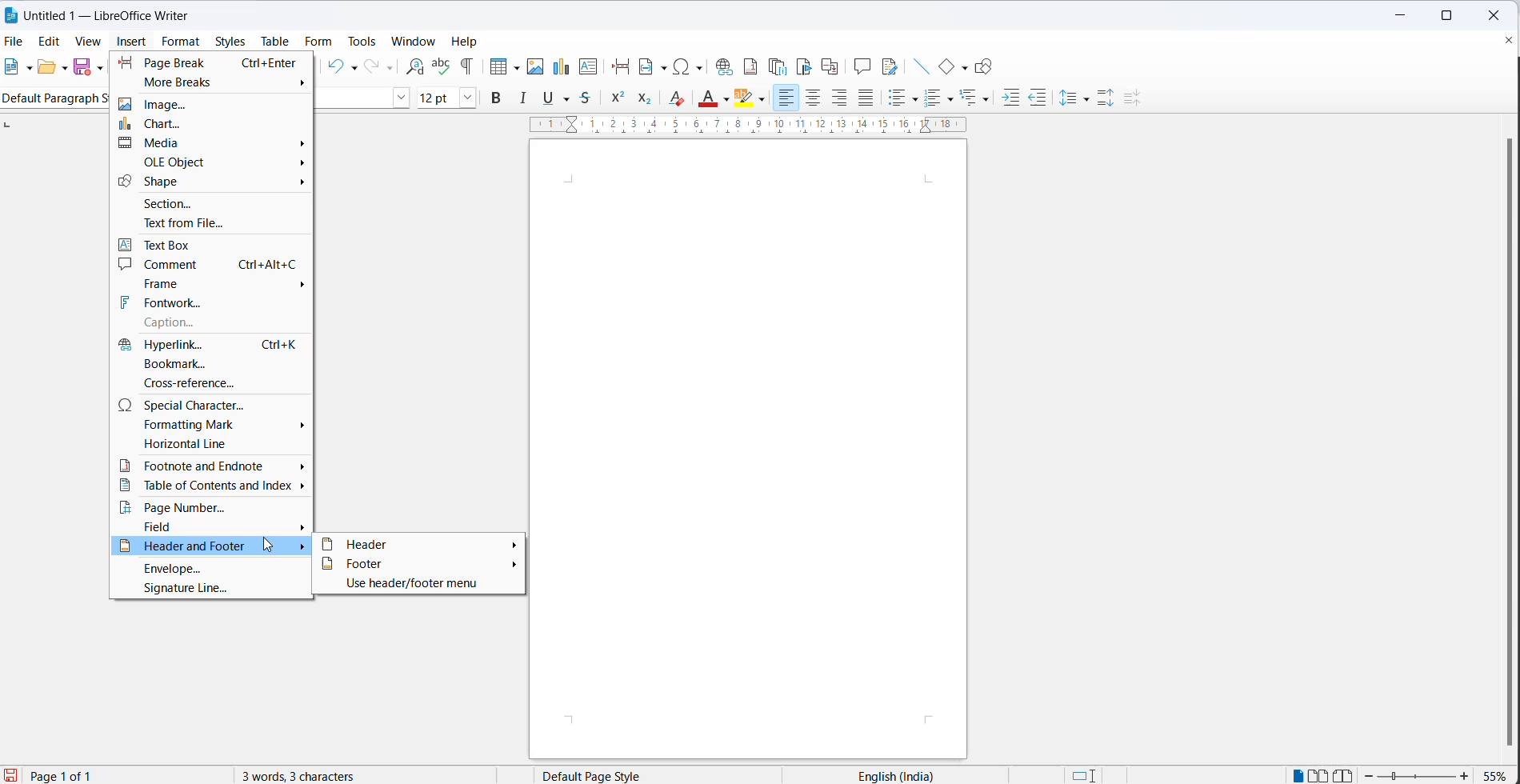 This screenshot has height=784, width=1520. What do you see at coordinates (27, 70) in the screenshot?
I see `file options` at bounding box center [27, 70].